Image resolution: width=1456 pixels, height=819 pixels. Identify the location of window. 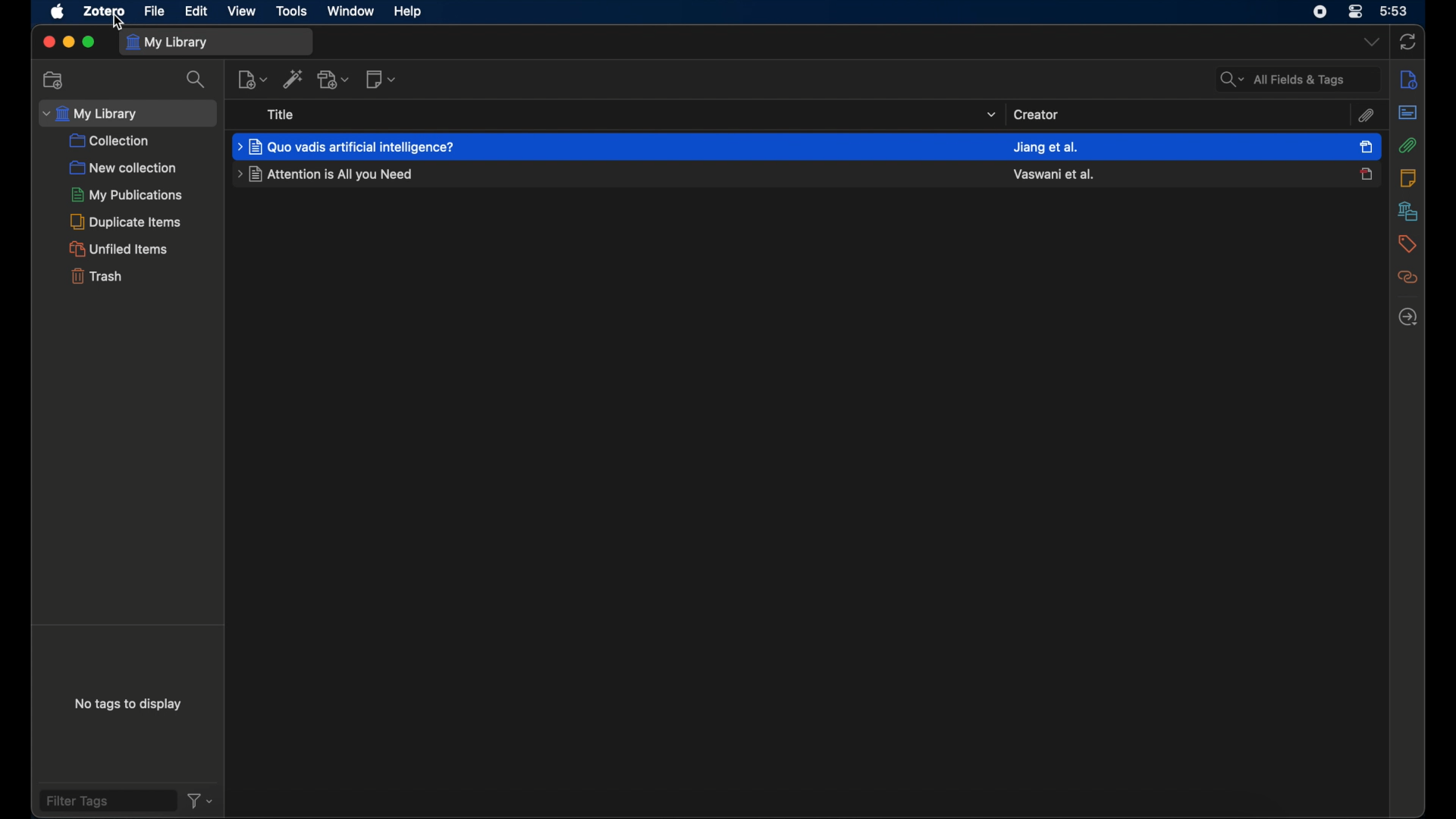
(350, 11).